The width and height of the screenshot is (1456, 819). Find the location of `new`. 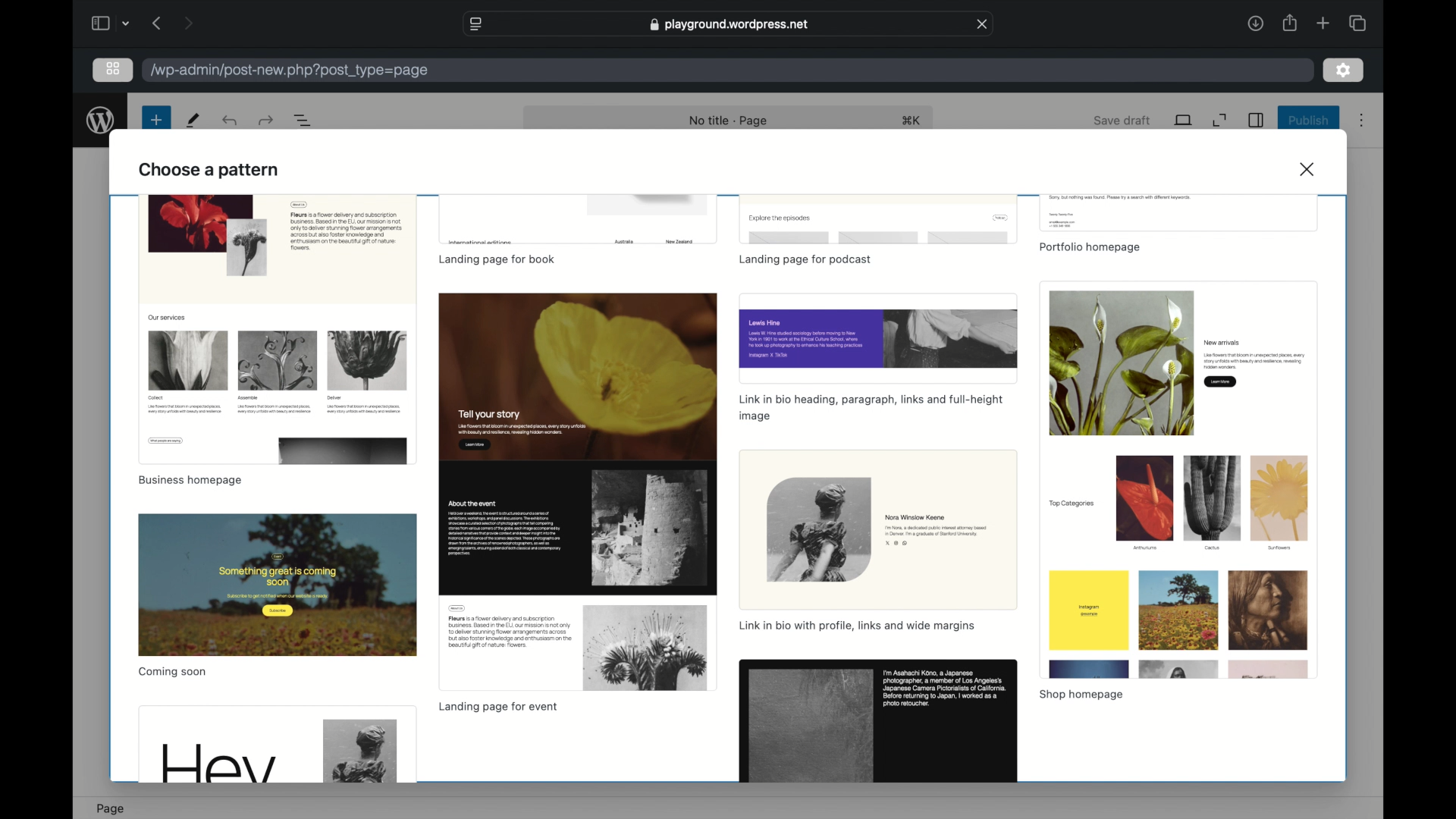

new is located at coordinates (155, 120).